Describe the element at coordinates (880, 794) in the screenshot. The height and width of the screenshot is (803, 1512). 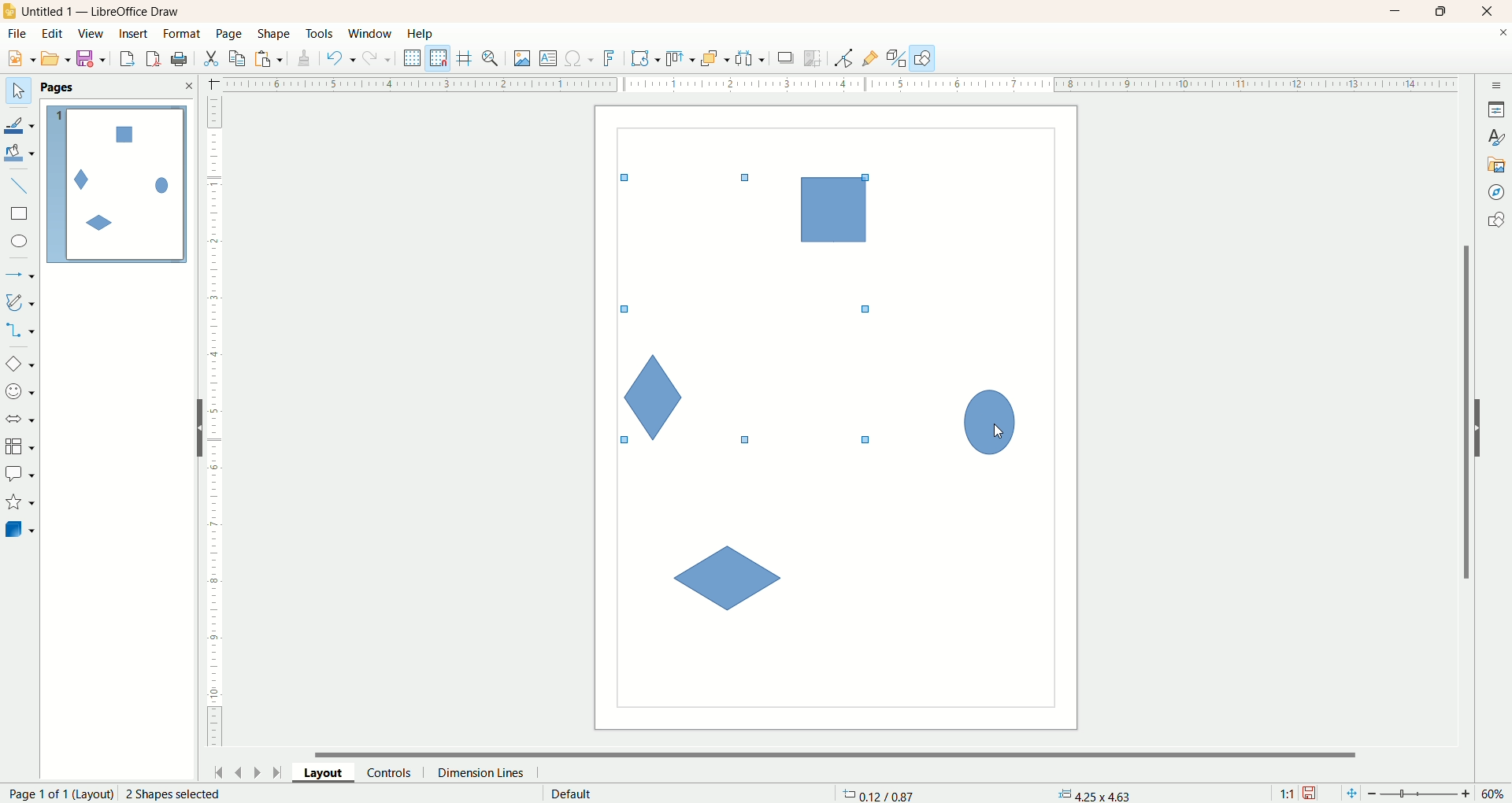
I see `coordinates` at that location.